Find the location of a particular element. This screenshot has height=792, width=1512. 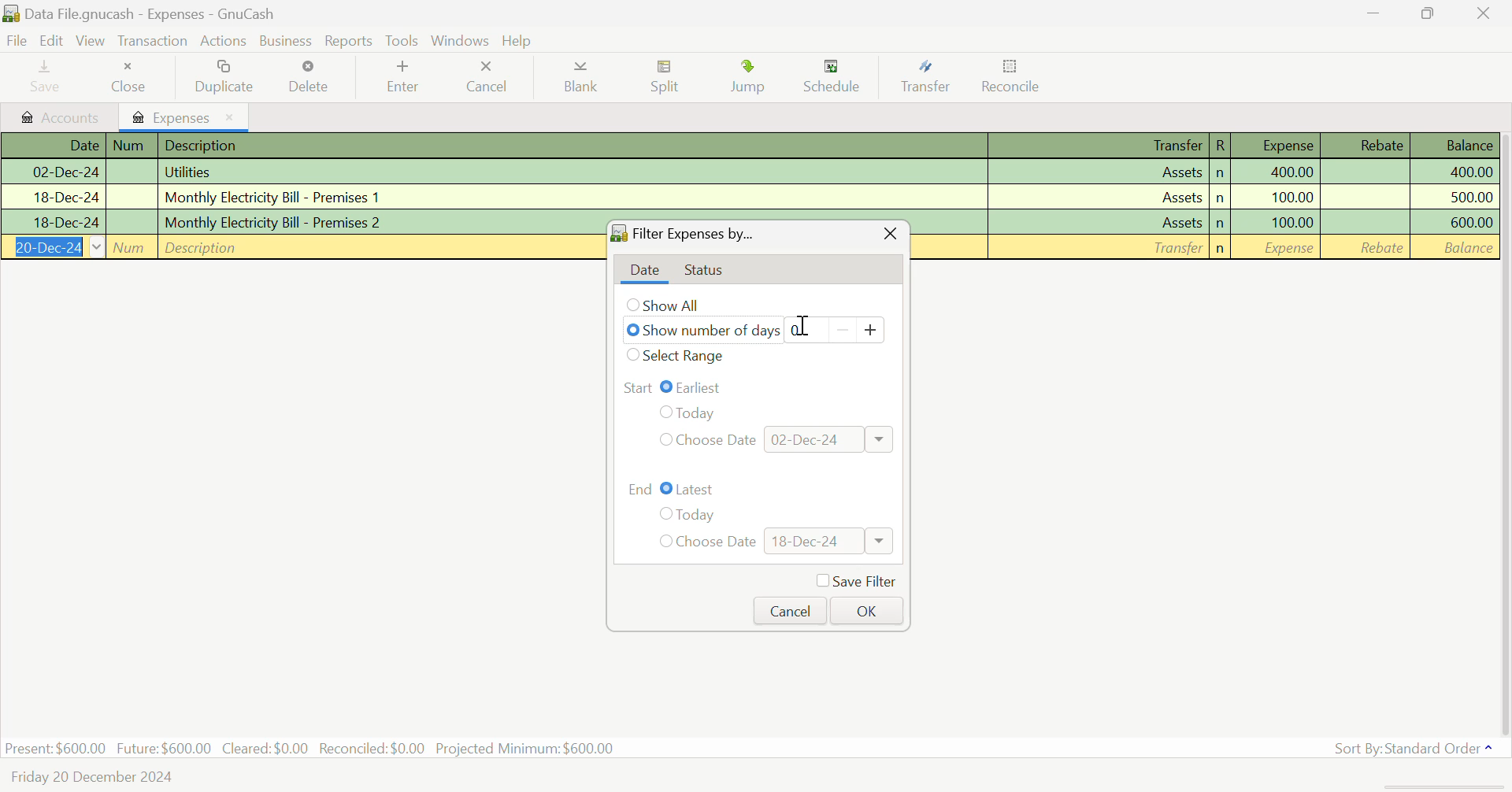

Cleared is located at coordinates (265, 749).